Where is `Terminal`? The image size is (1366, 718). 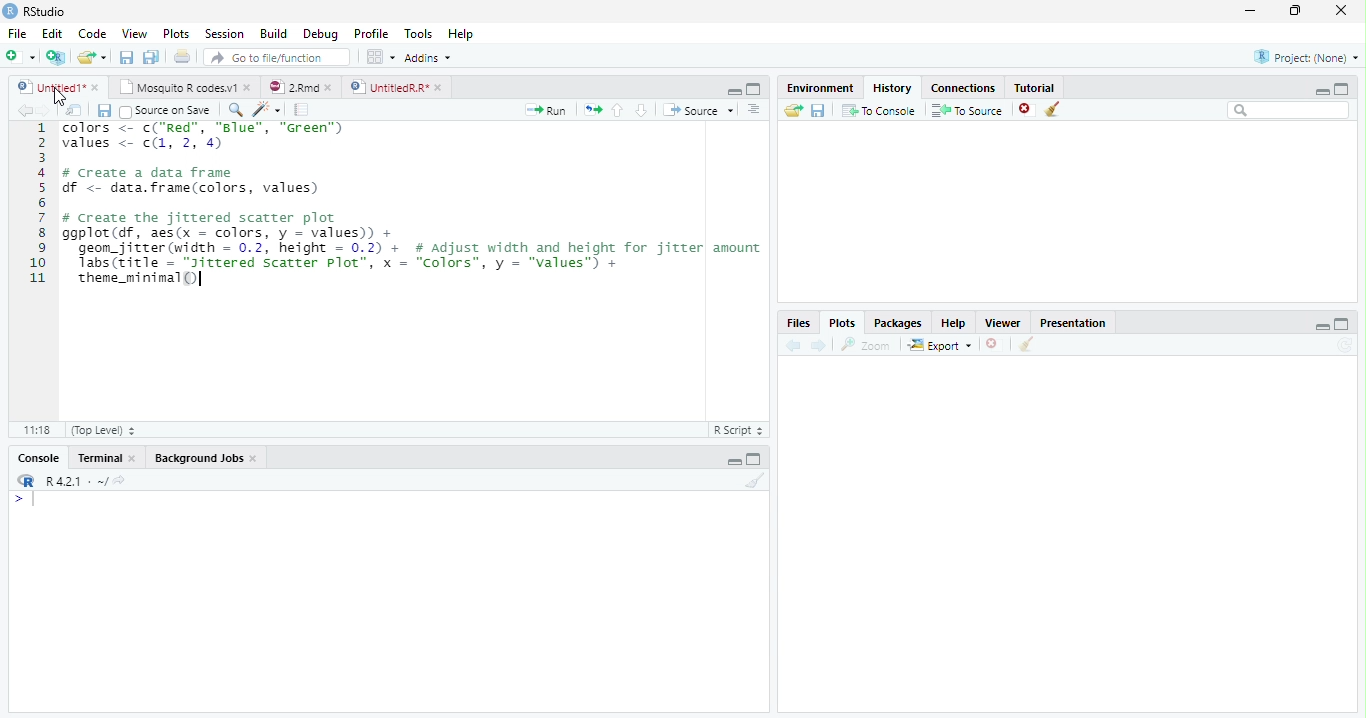
Terminal is located at coordinates (99, 458).